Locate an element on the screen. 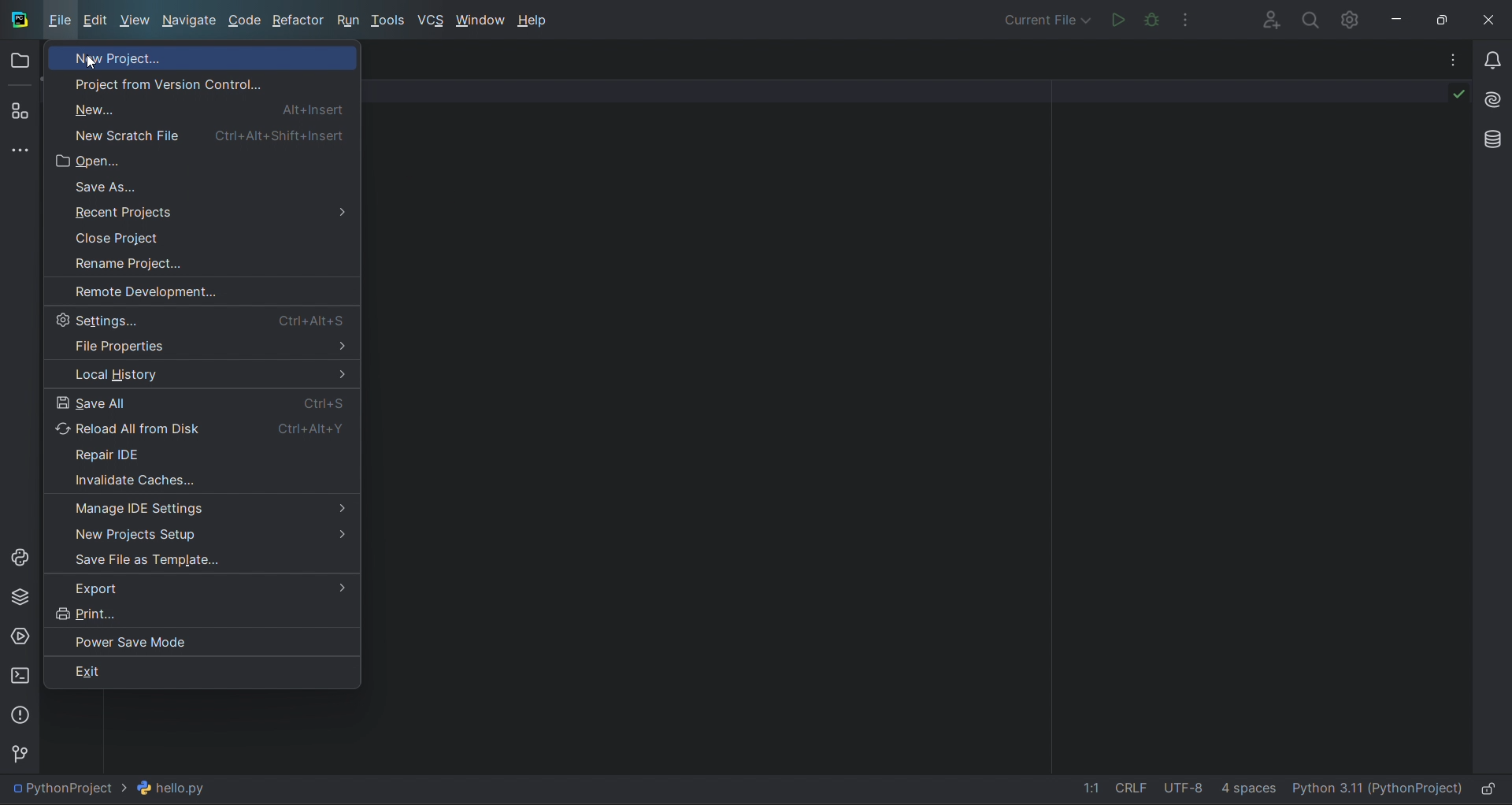 The image size is (1512, 805). view is located at coordinates (134, 20).